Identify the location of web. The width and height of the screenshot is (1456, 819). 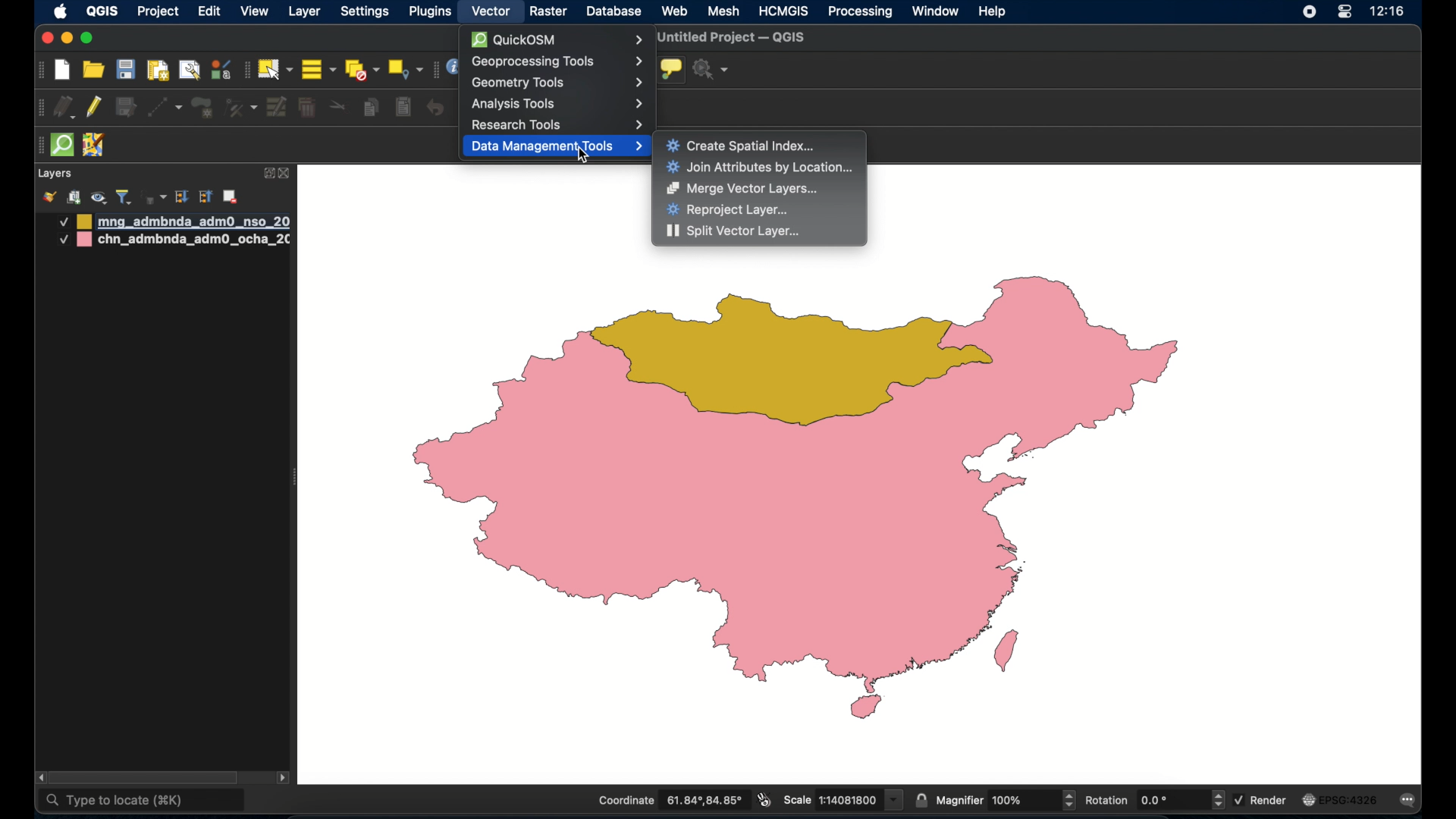
(676, 11).